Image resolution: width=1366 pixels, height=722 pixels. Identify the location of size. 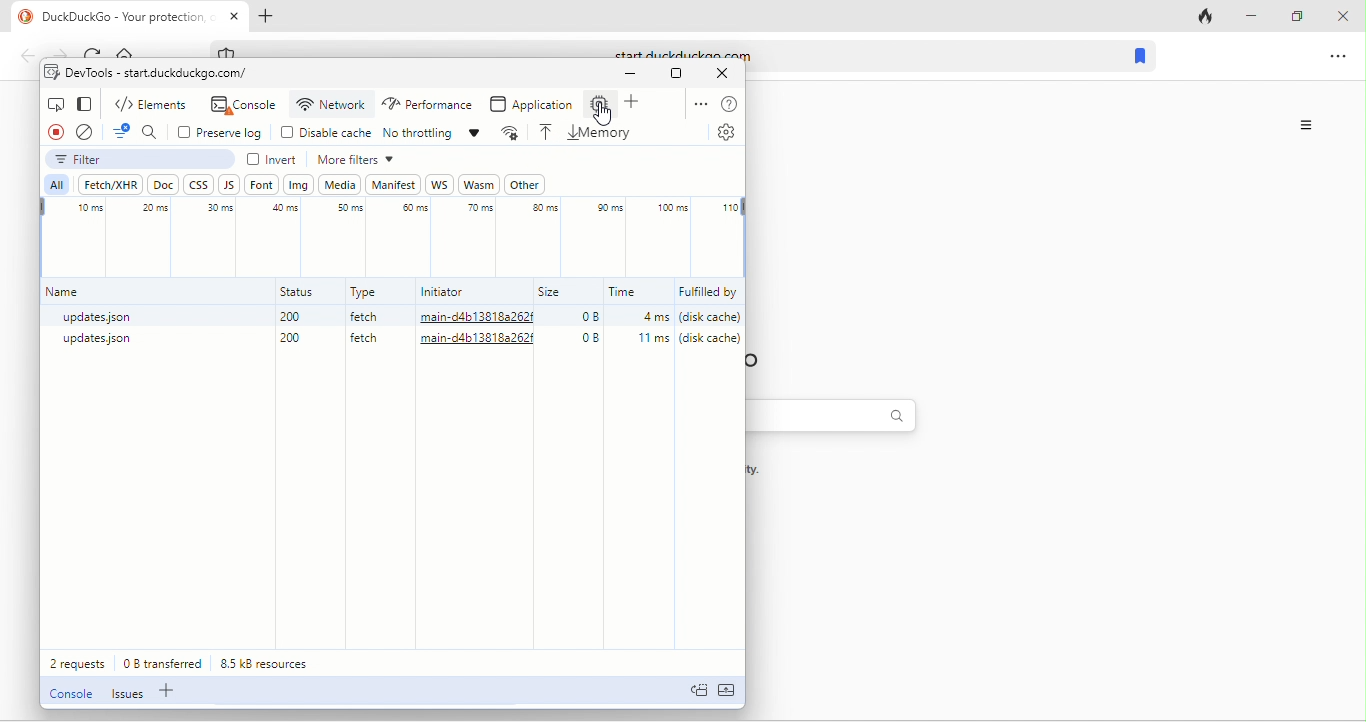
(567, 291).